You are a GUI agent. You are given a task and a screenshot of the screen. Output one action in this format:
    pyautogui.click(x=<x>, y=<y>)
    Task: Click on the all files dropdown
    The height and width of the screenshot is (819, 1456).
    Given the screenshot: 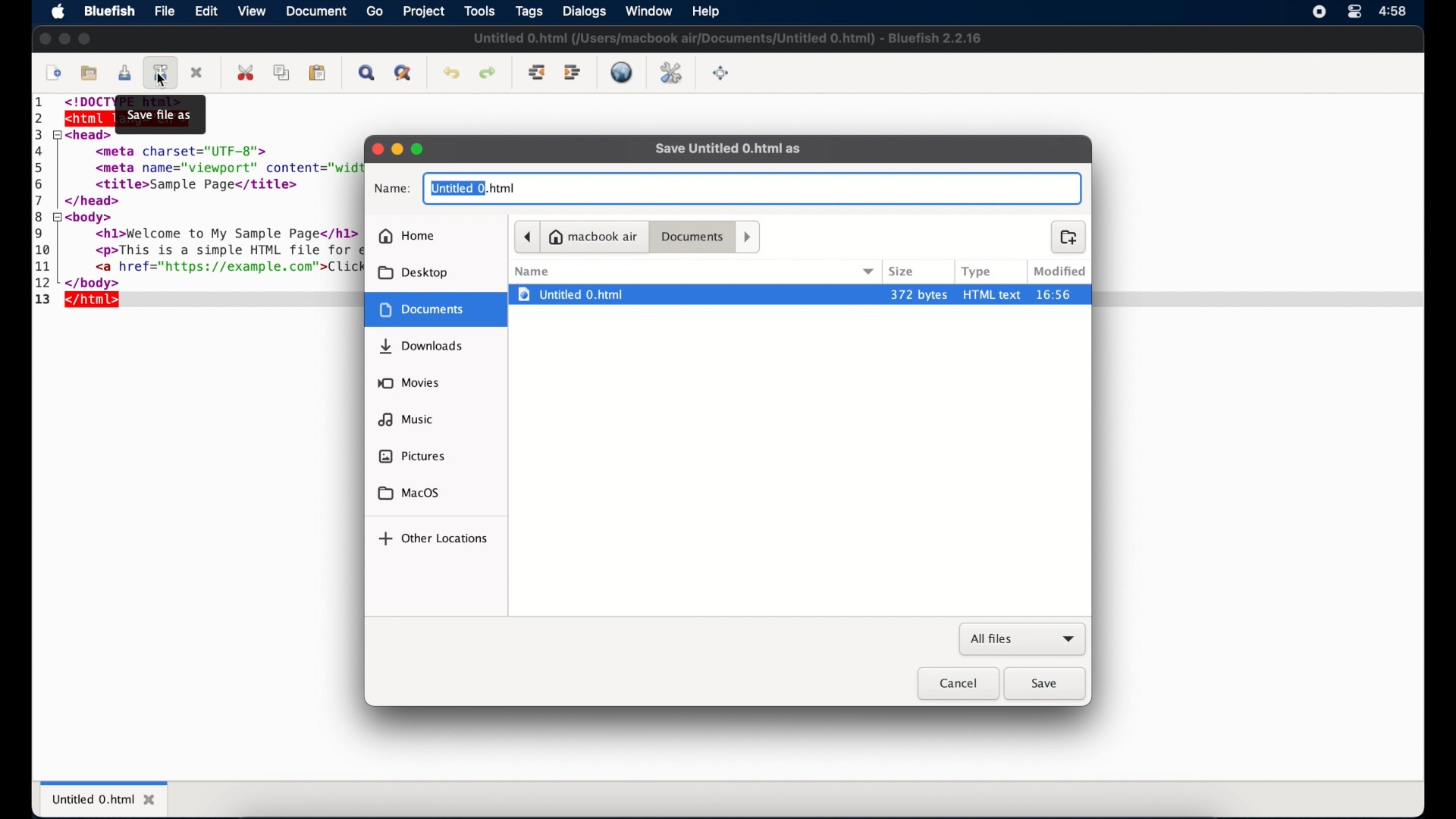 What is the action you would take?
    pyautogui.click(x=1023, y=640)
    